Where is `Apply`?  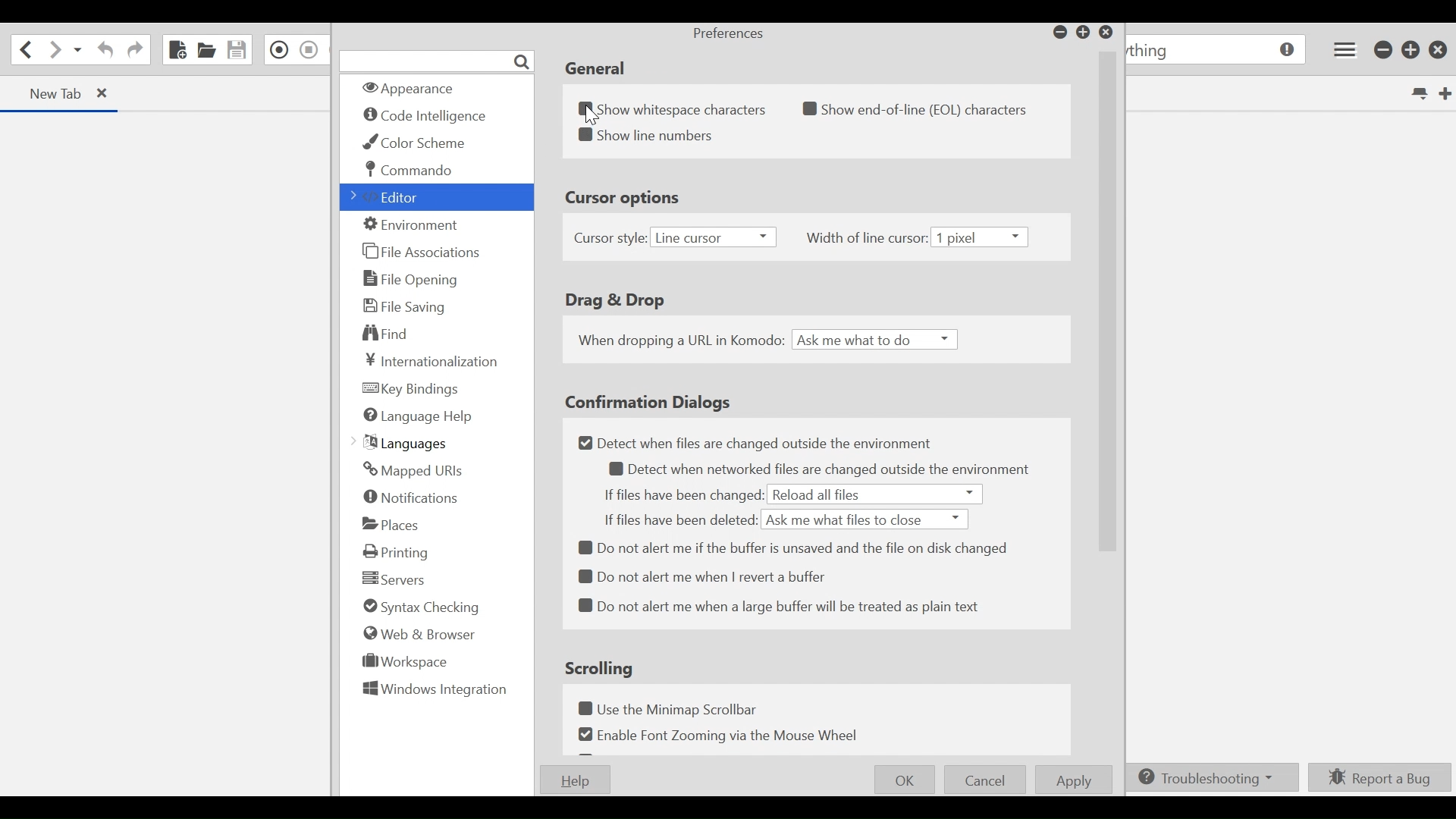
Apply is located at coordinates (1075, 779).